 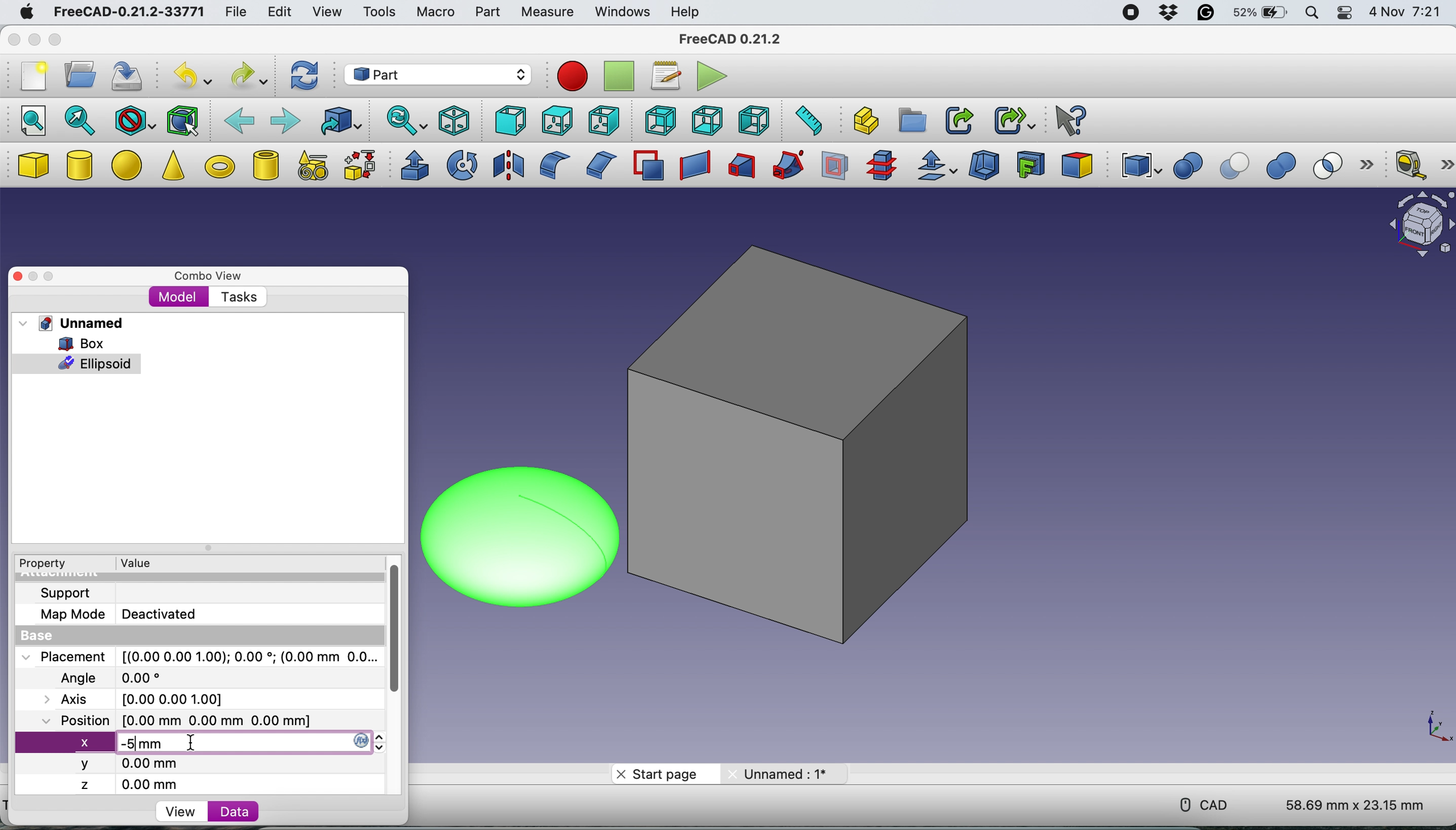 I want to click on rear, so click(x=658, y=120).